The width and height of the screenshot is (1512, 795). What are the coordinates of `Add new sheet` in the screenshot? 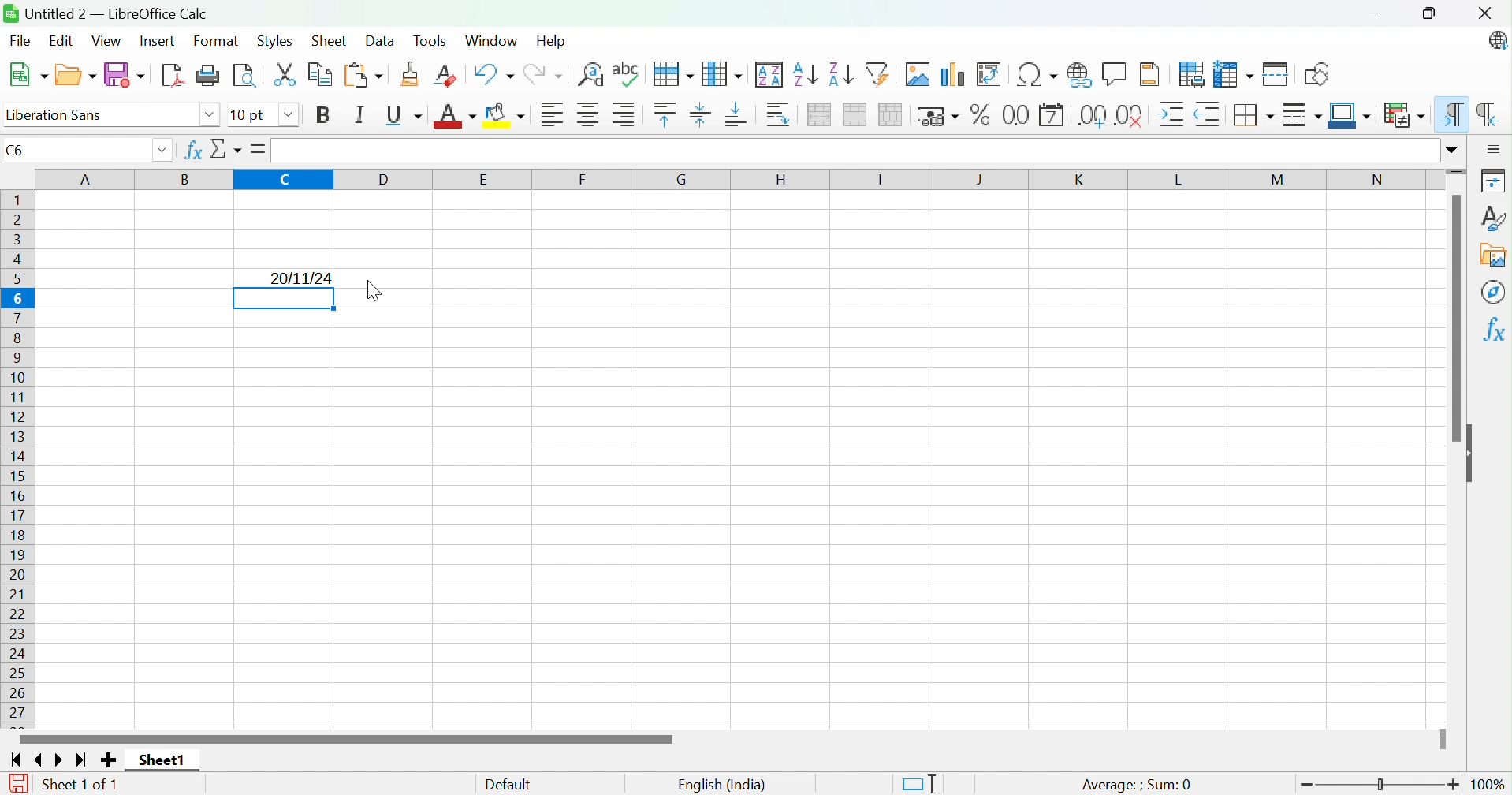 It's located at (109, 760).